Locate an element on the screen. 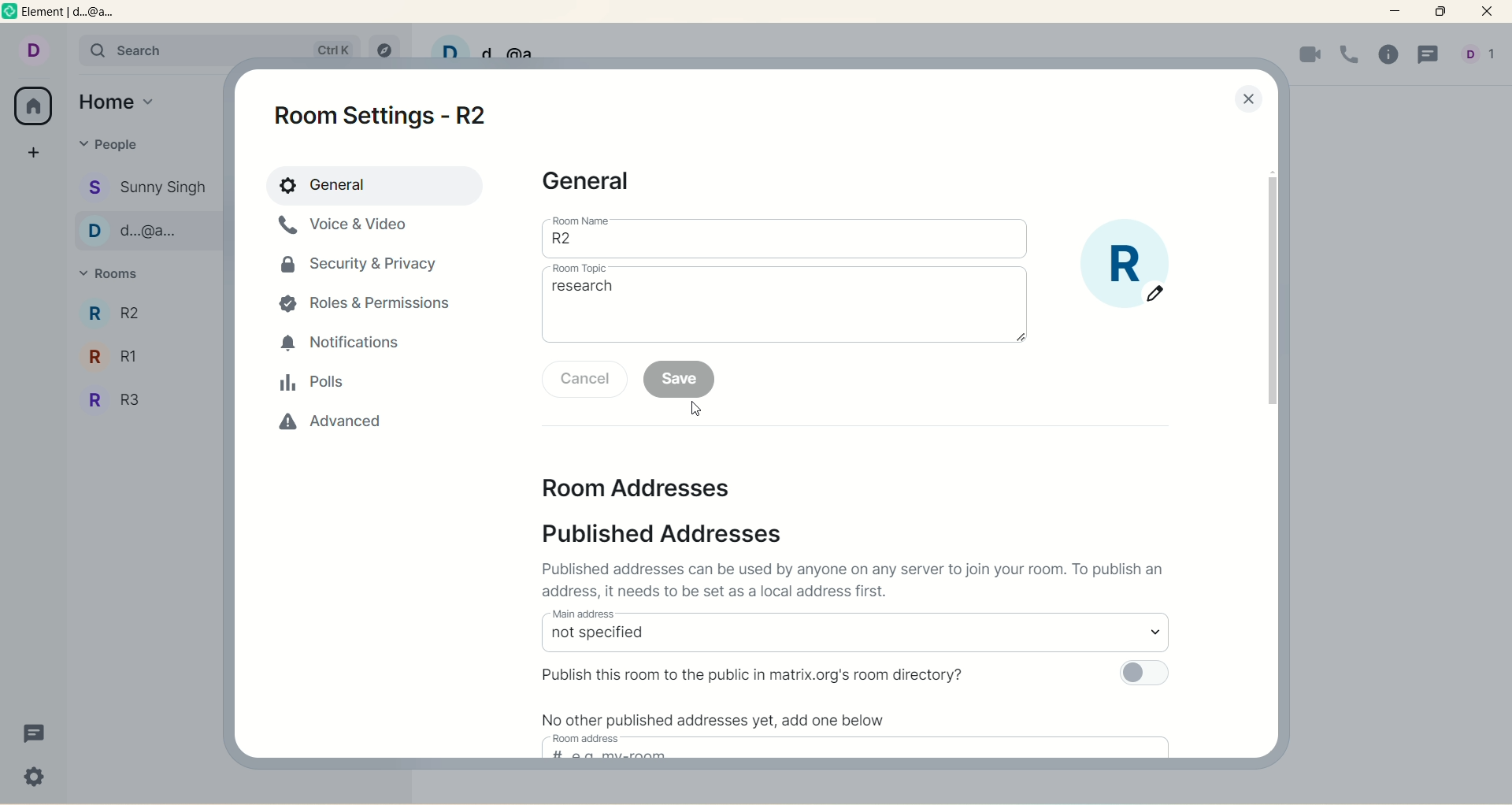 The image size is (1512, 805). d...@... is located at coordinates (146, 230).